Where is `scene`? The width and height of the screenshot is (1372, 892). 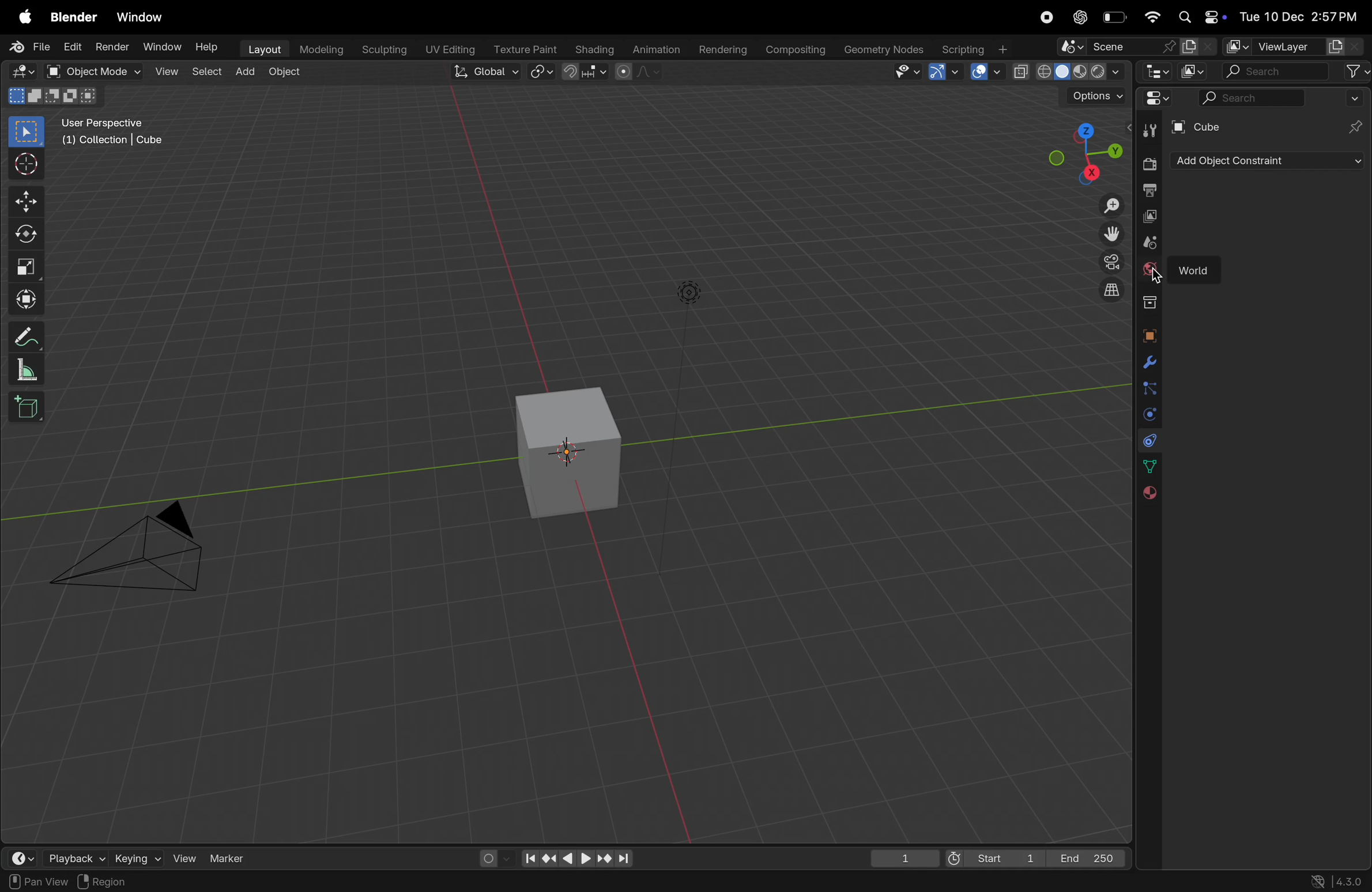 scene is located at coordinates (1148, 243).